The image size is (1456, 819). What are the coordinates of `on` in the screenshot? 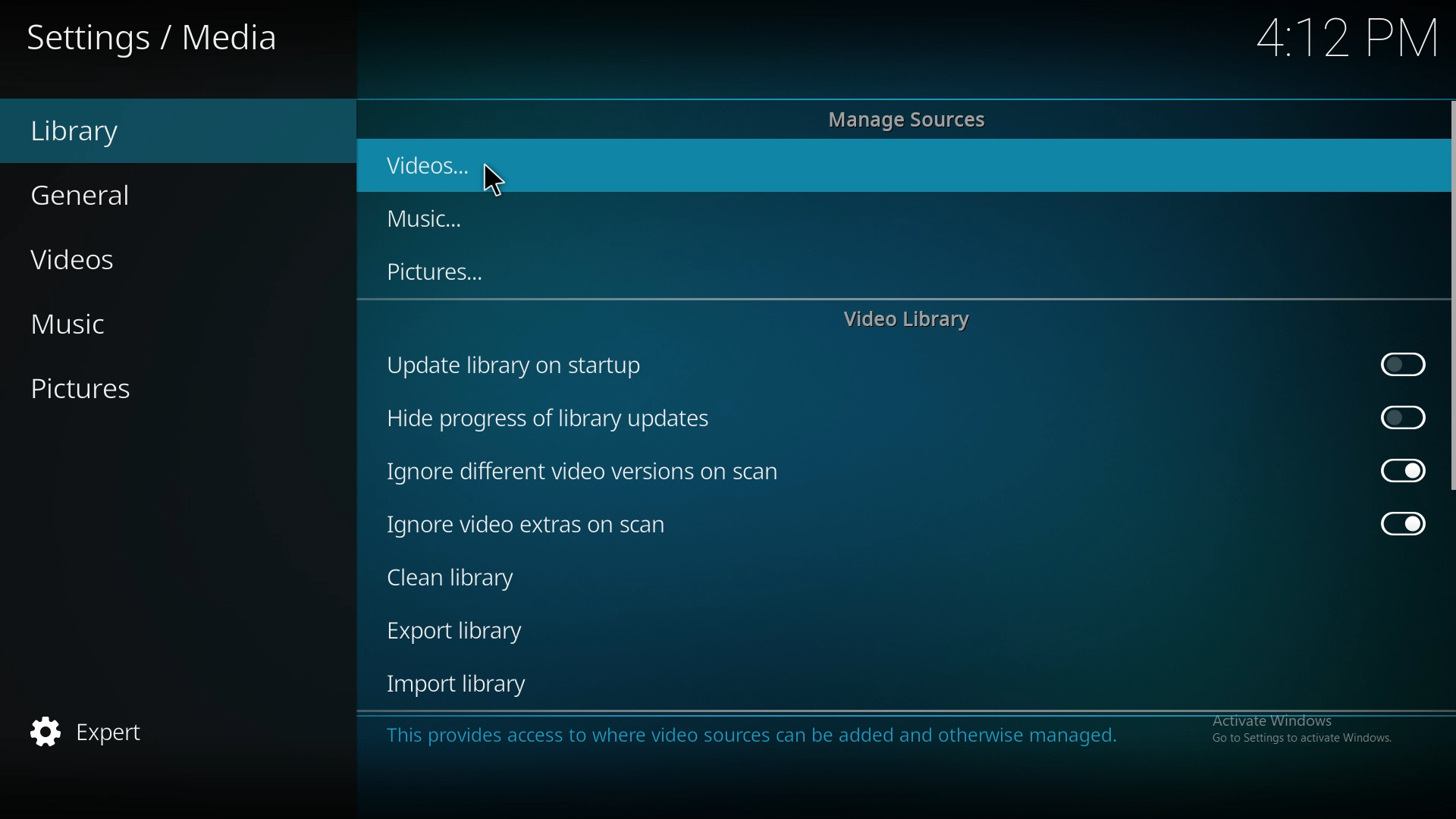 It's located at (1402, 417).